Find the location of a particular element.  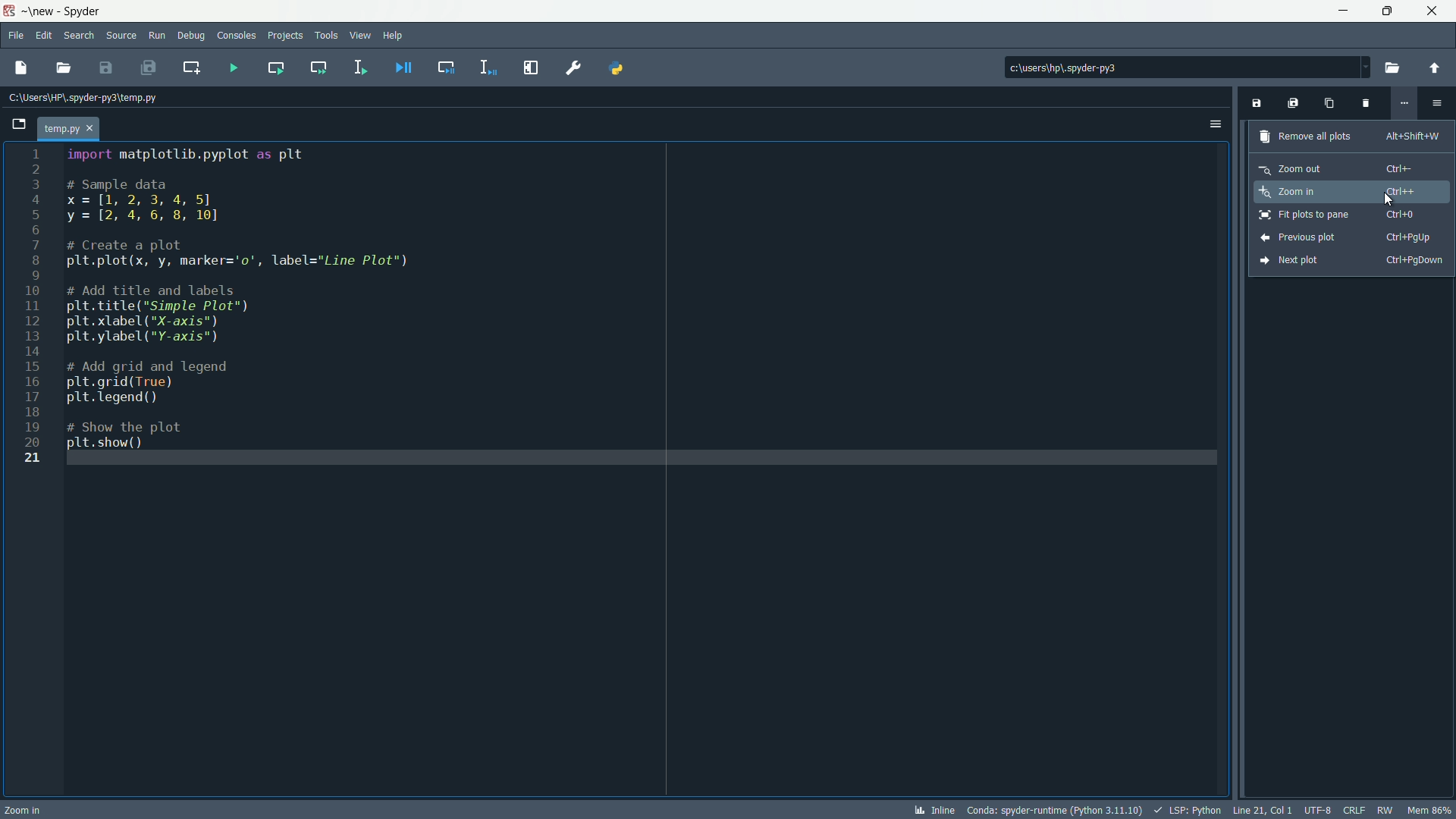

save all plots is located at coordinates (1293, 103).